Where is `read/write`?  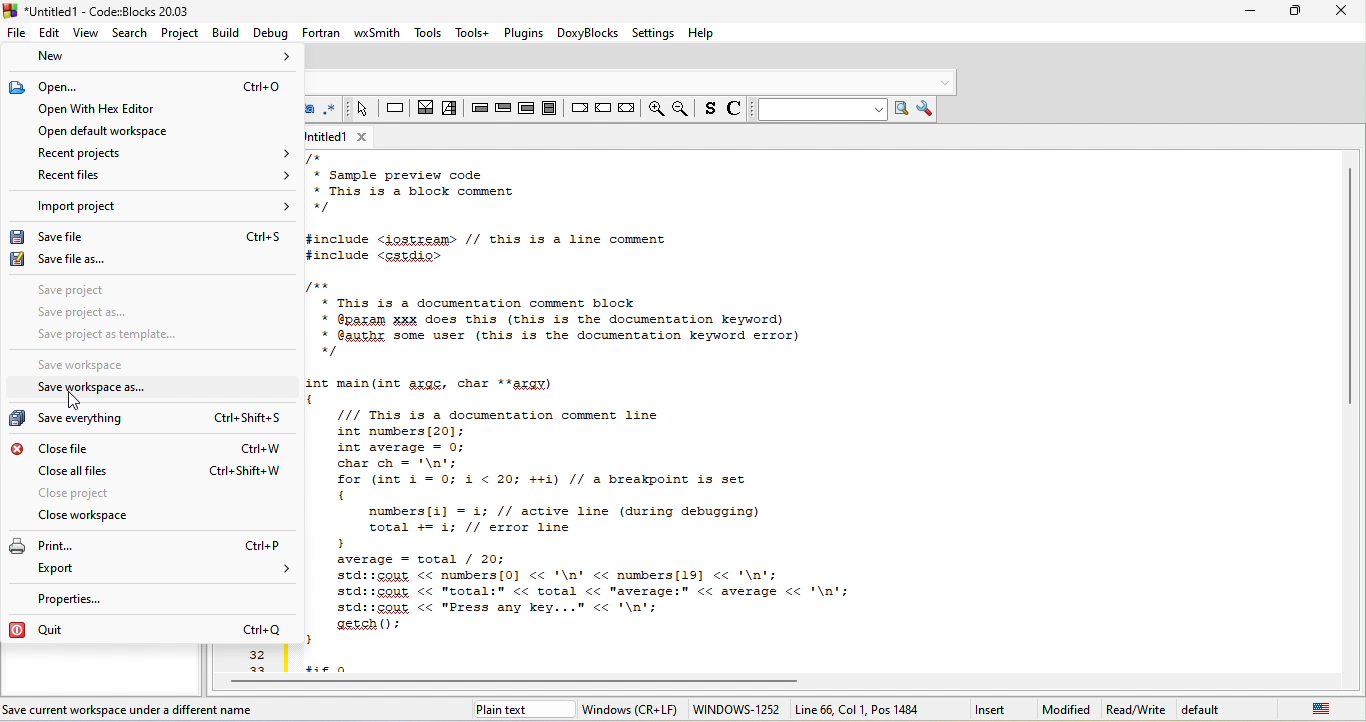
read/write is located at coordinates (1136, 710).